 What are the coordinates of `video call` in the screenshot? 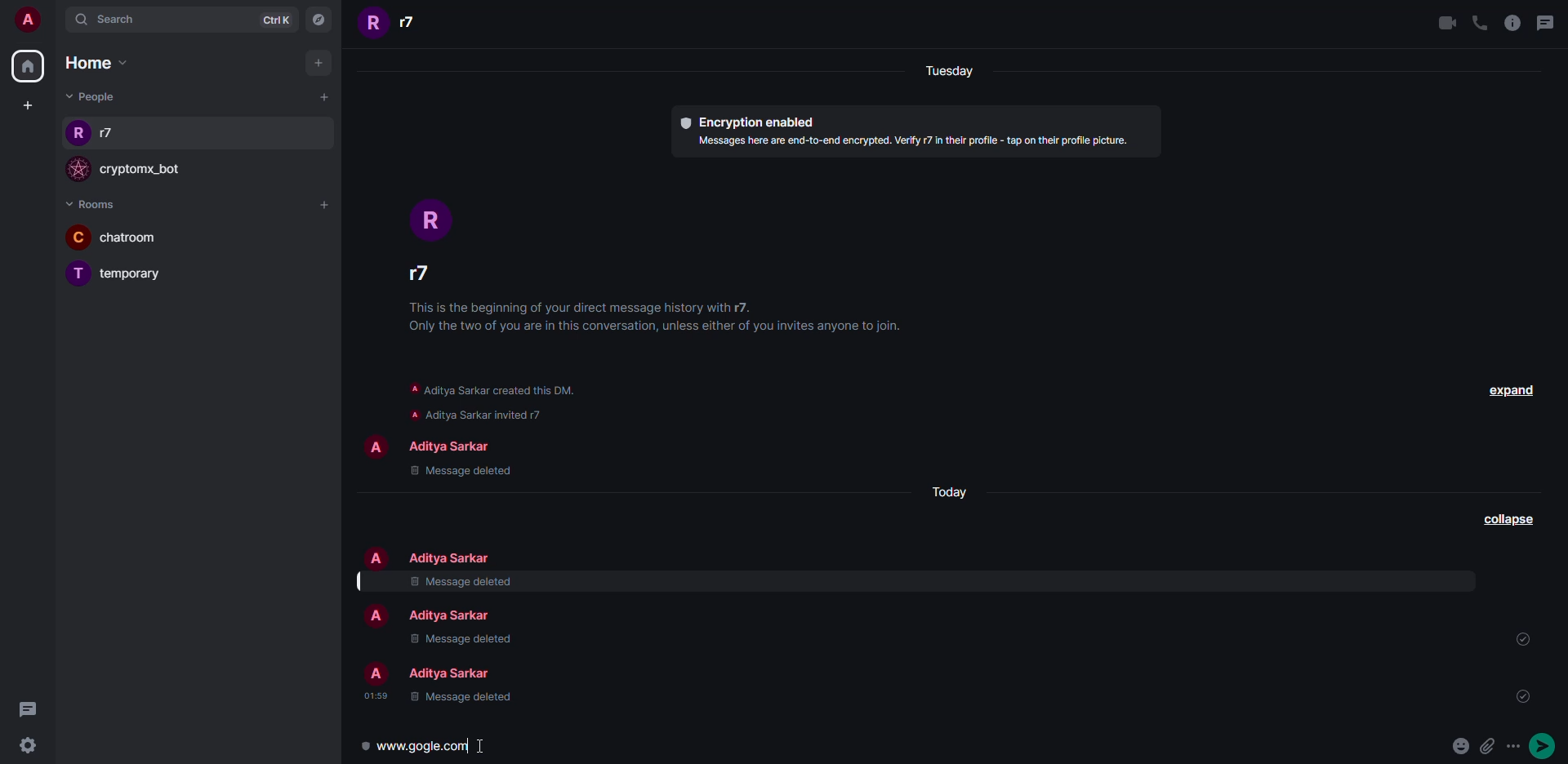 It's located at (1445, 23).